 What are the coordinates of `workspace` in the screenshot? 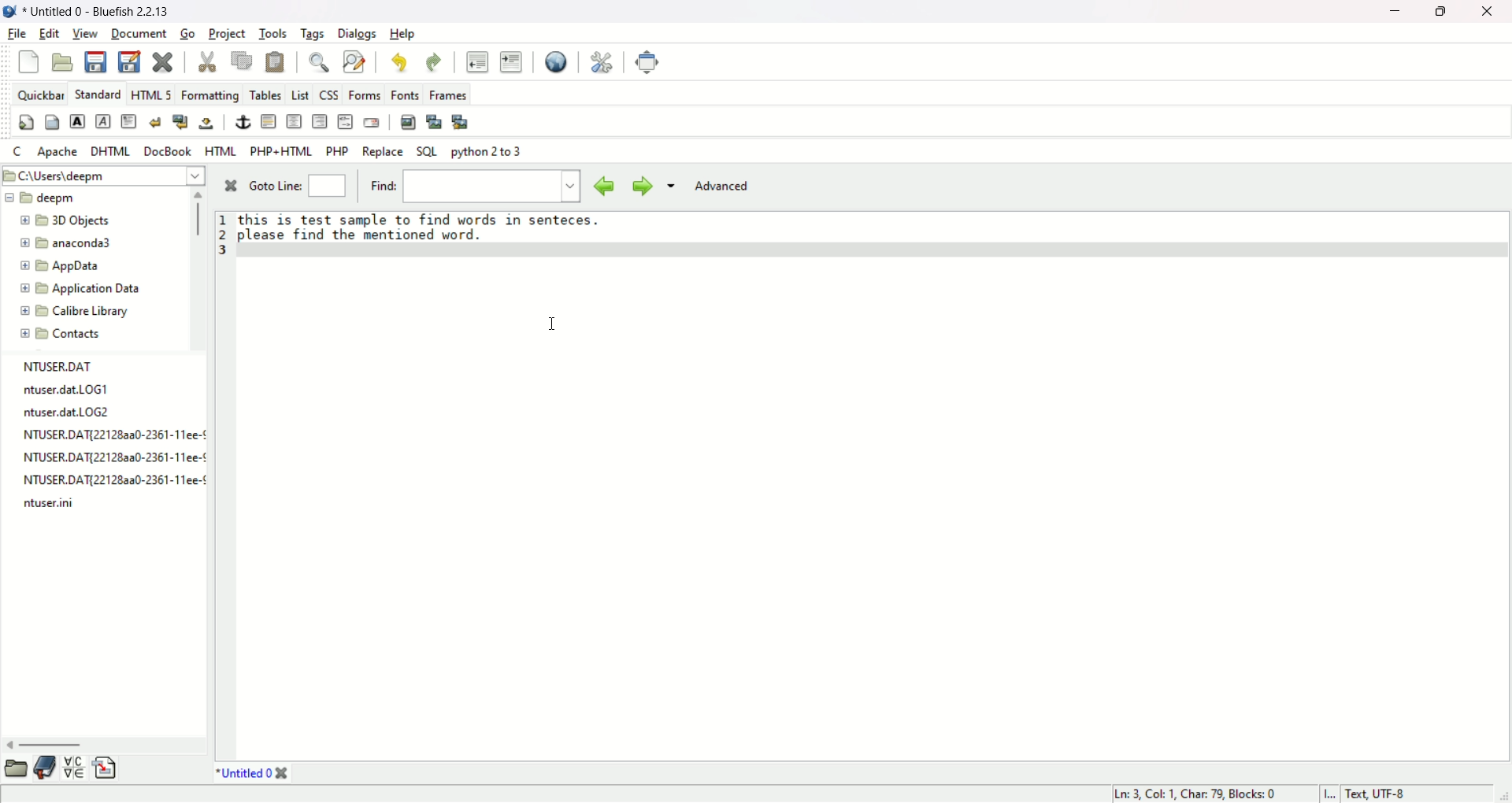 It's located at (875, 501).